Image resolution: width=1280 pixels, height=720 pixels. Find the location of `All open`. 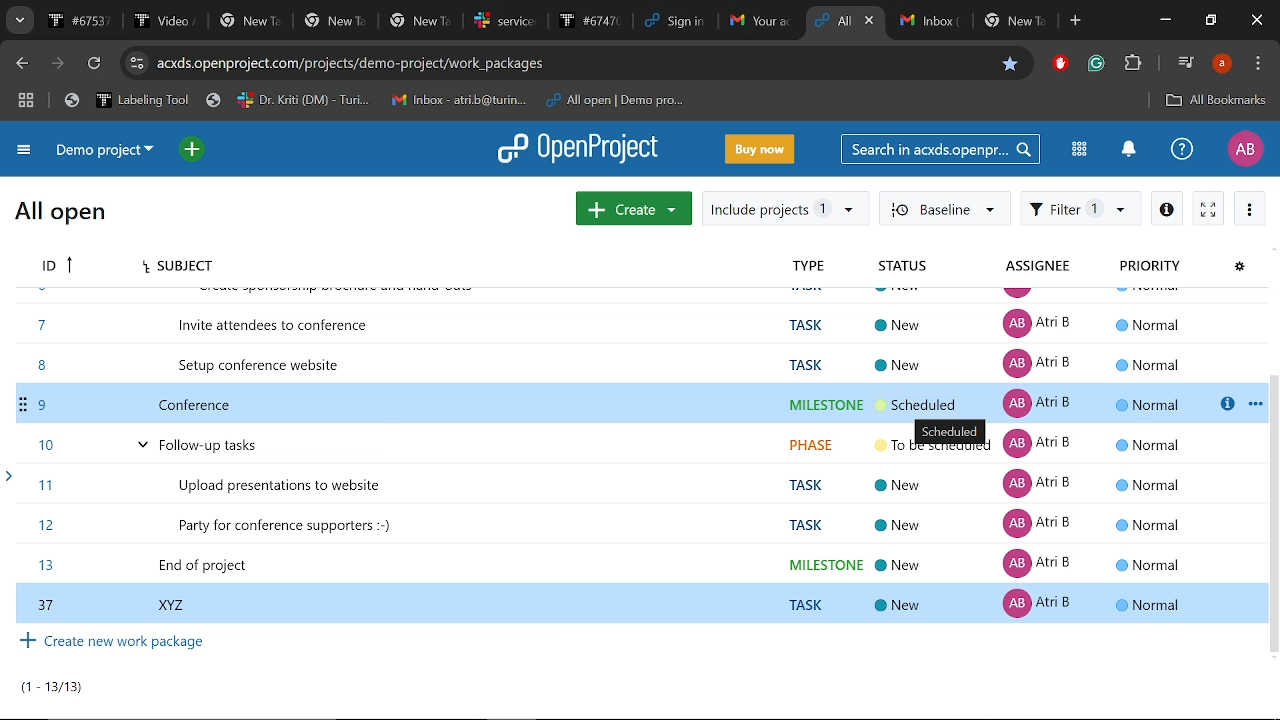

All open is located at coordinates (62, 209).